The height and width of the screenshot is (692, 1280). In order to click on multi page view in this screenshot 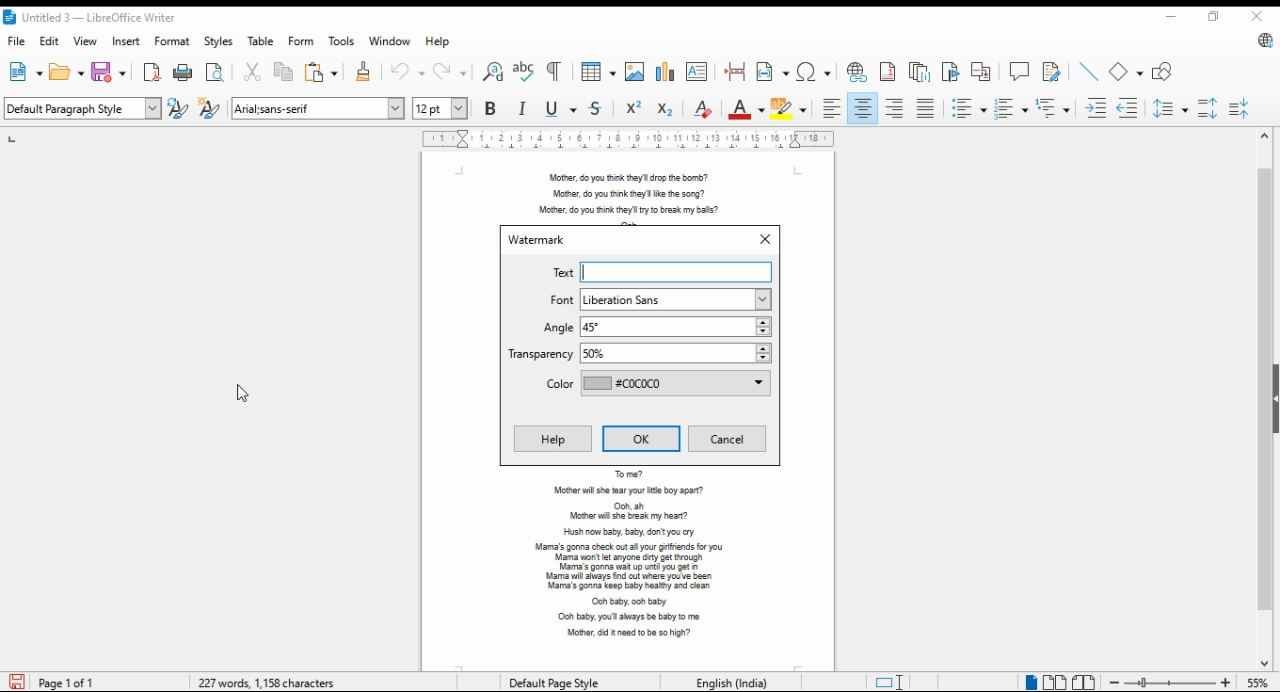, I will do `click(1053, 682)`.